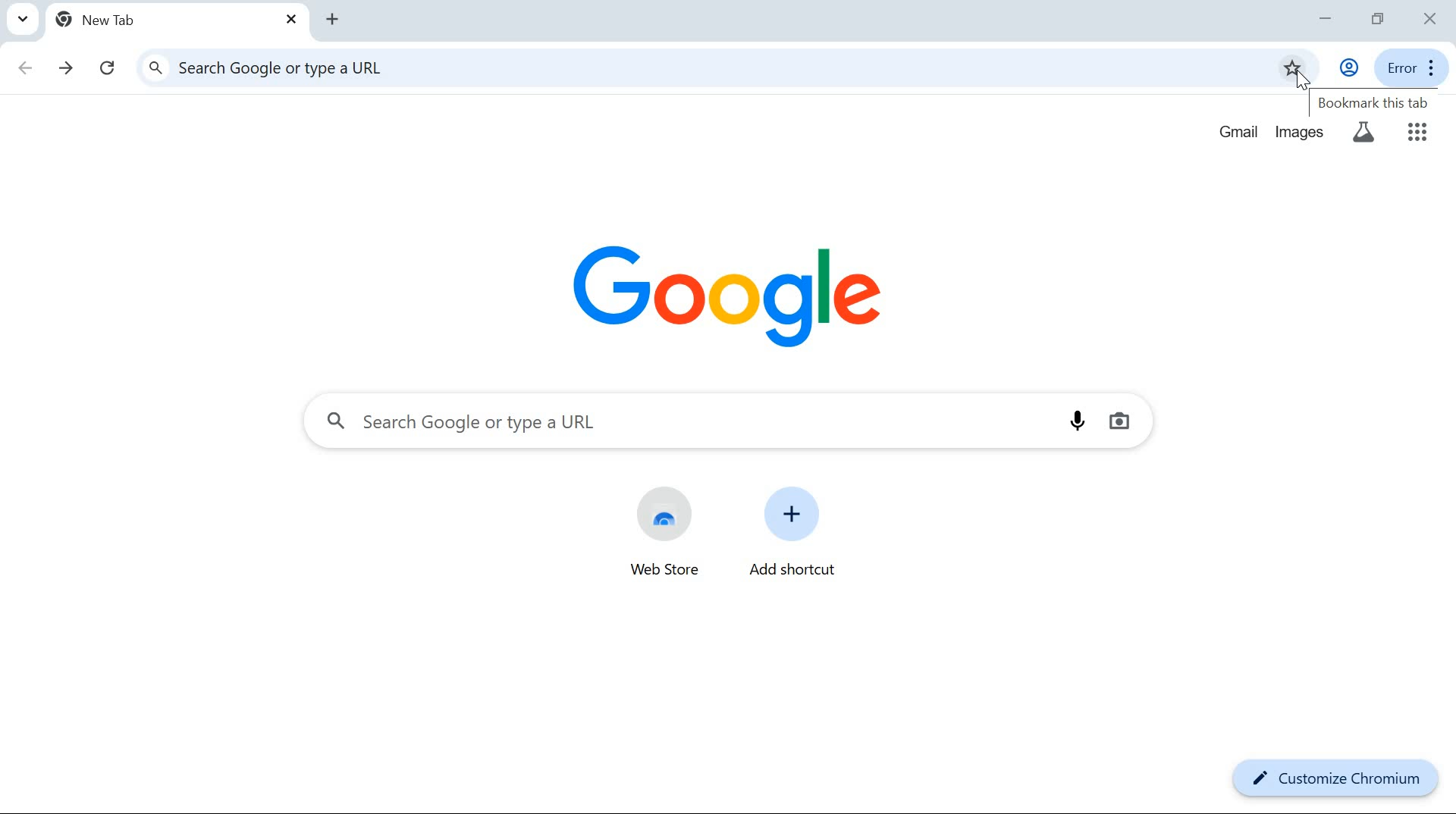 The width and height of the screenshot is (1456, 814). I want to click on new tab, so click(331, 19).